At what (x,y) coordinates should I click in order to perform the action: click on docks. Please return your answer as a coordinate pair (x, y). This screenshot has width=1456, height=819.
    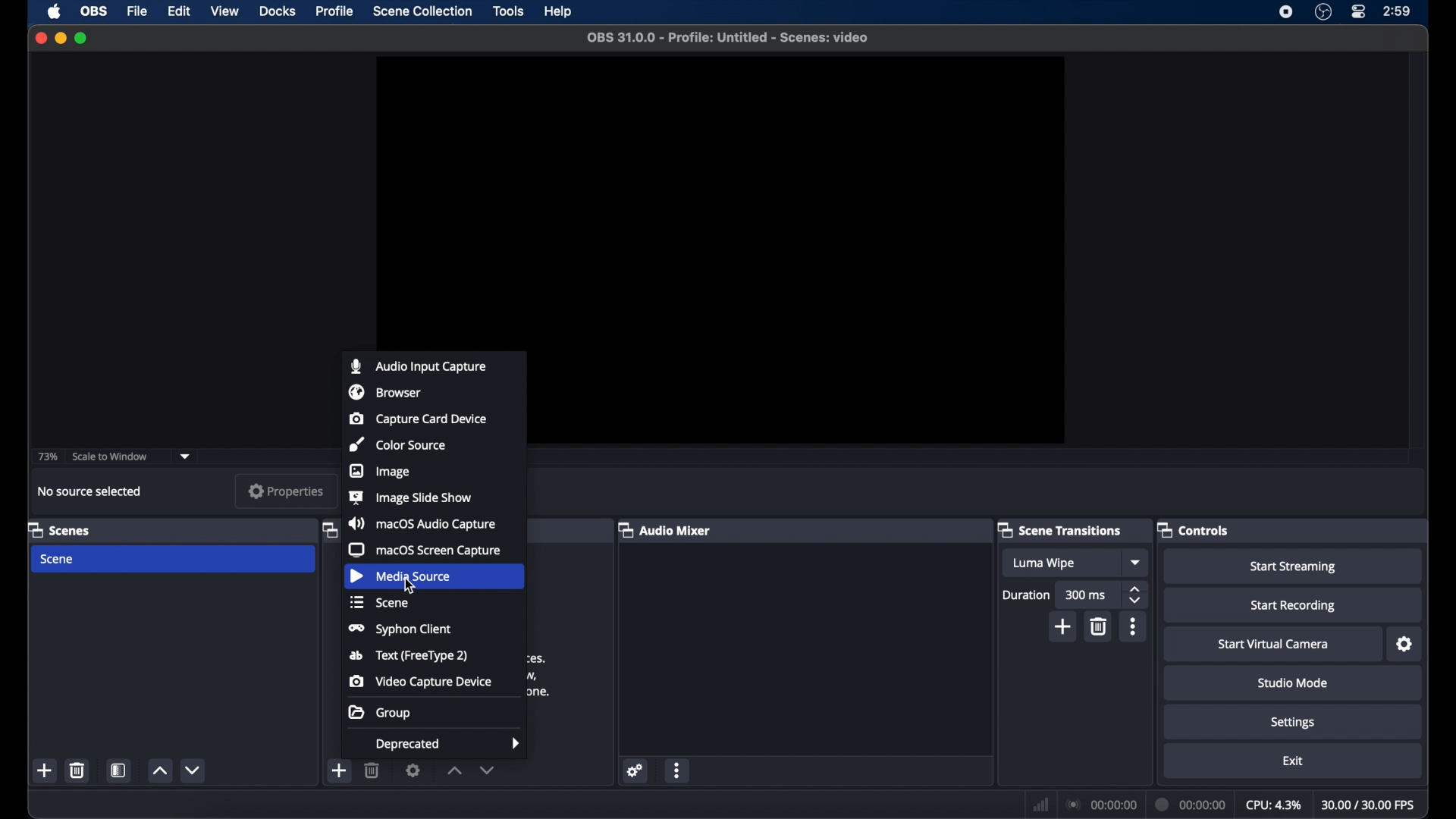
    Looking at the image, I should click on (278, 12).